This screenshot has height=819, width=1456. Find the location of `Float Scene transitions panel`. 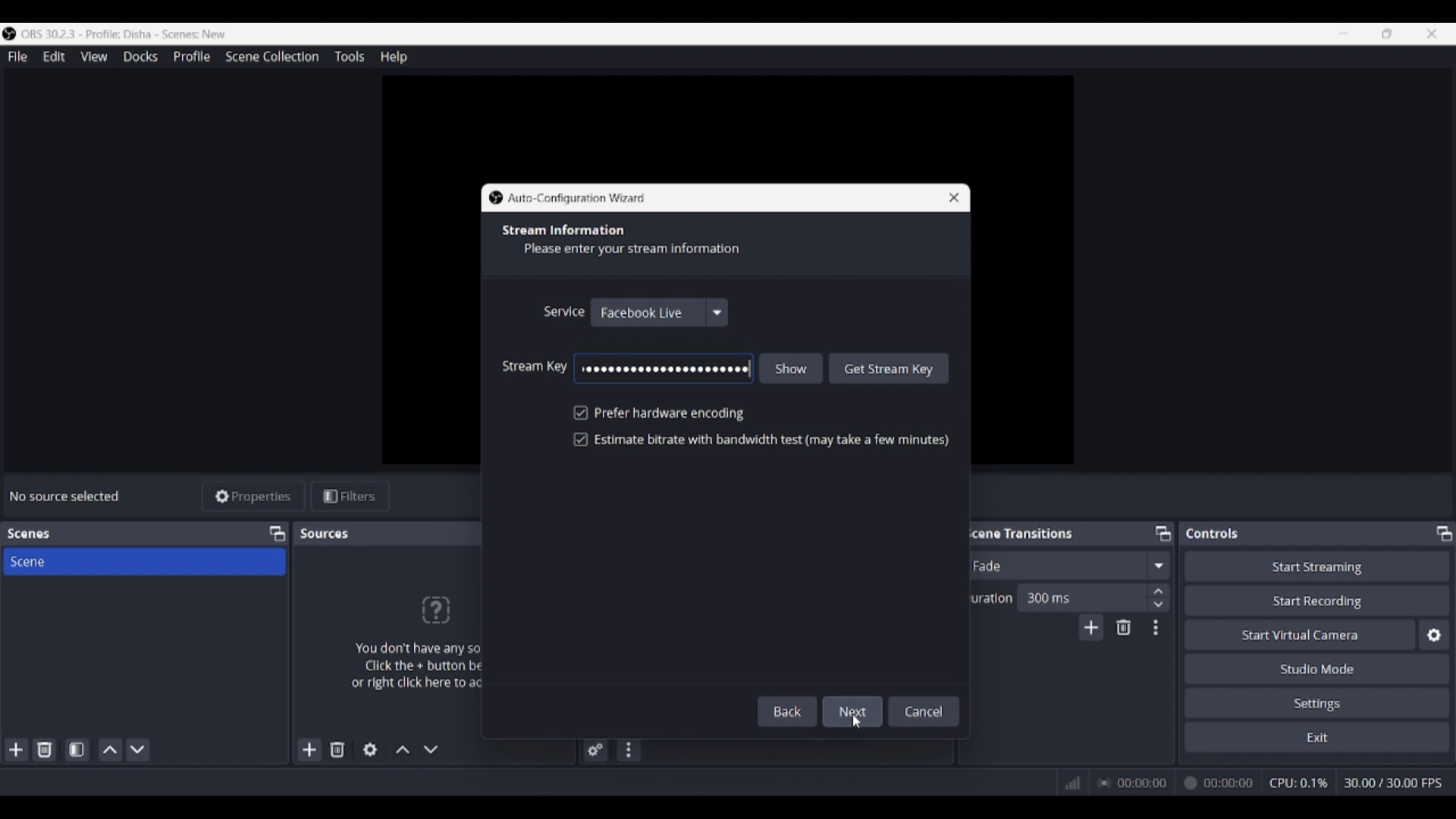

Float Scene transitions panel is located at coordinates (1163, 533).